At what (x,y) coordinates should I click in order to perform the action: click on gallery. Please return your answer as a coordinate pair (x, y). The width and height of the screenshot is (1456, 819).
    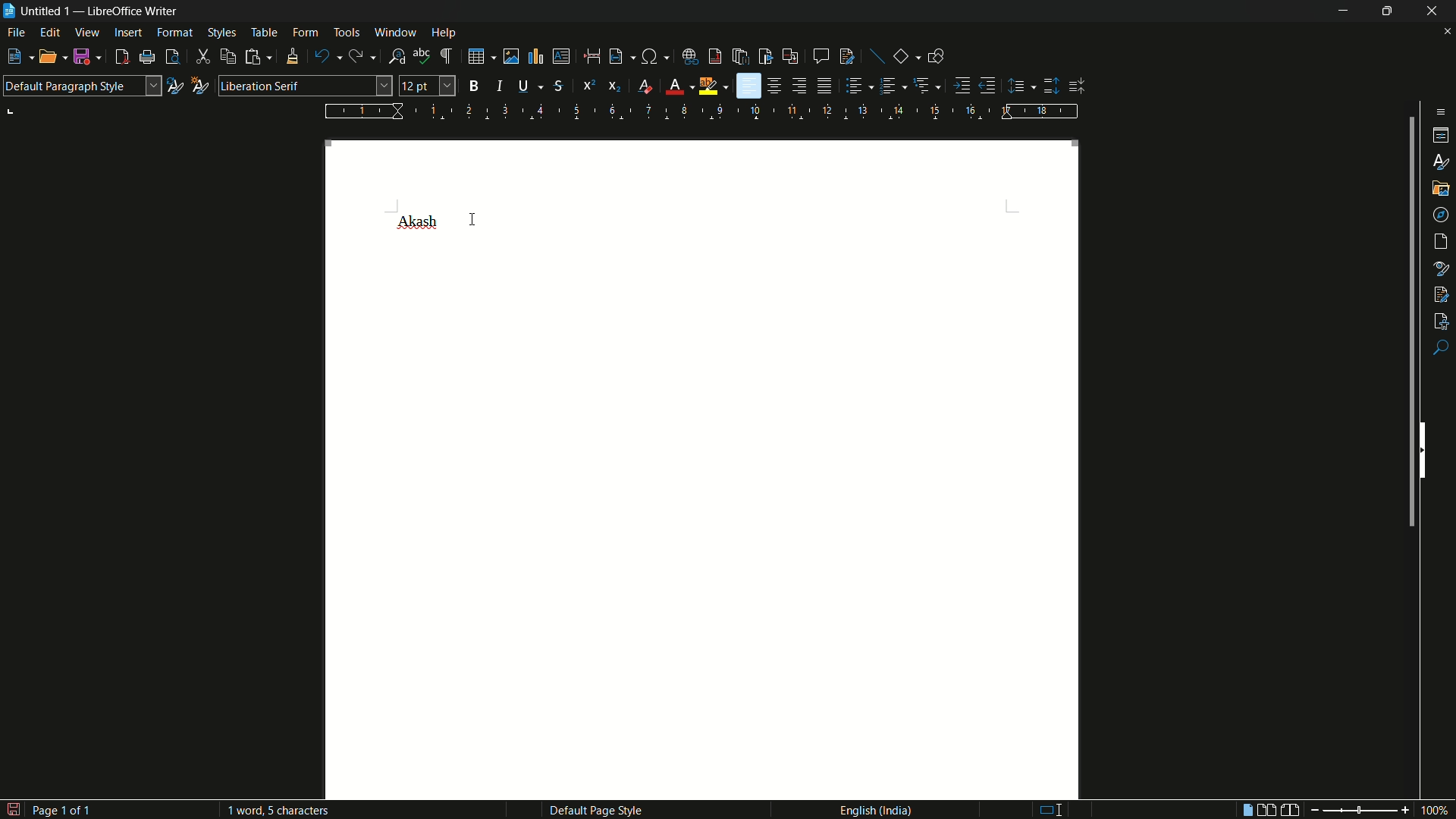
    Looking at the image, I should click on (1441, 187).